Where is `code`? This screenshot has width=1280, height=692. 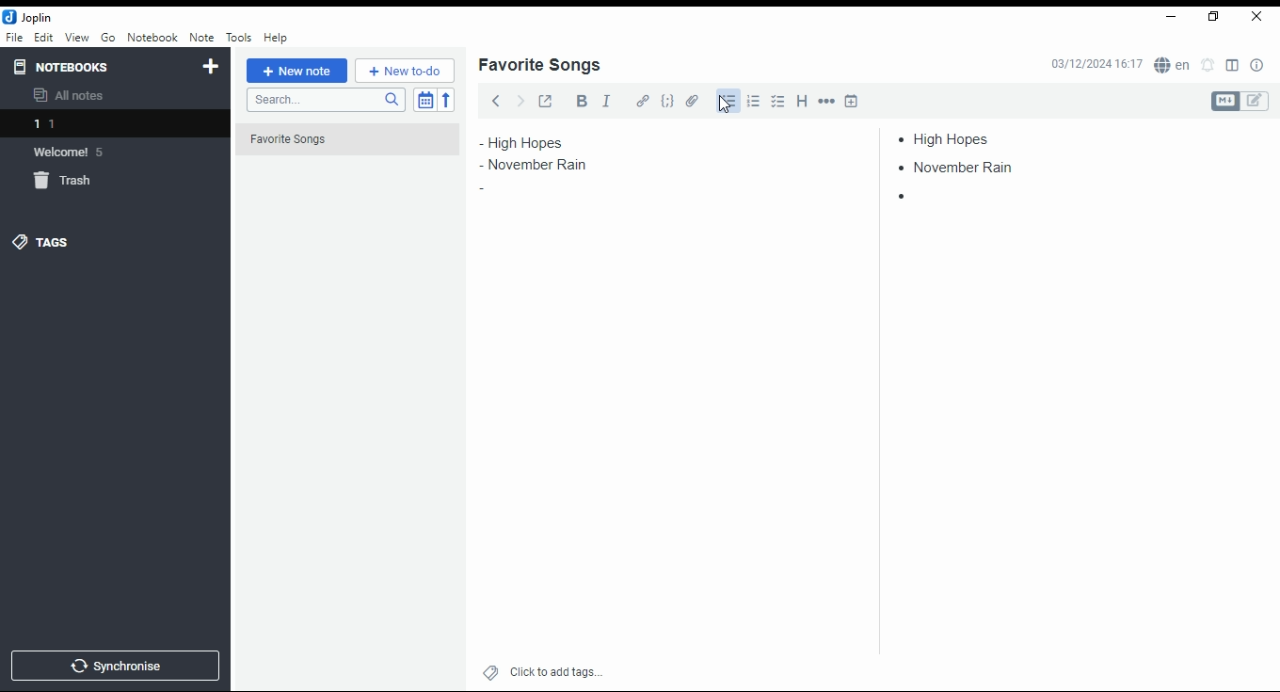
code is located at coordinates (667, 101).